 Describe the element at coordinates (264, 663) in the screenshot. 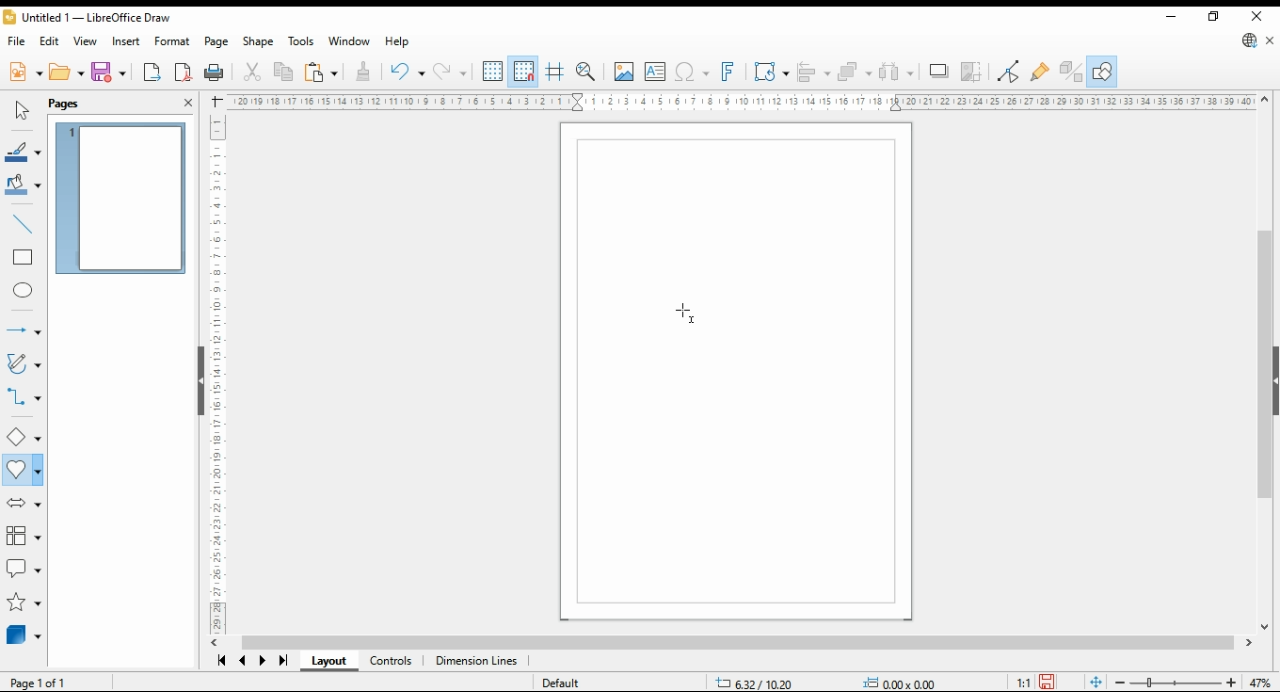

I see `next page` at that location.